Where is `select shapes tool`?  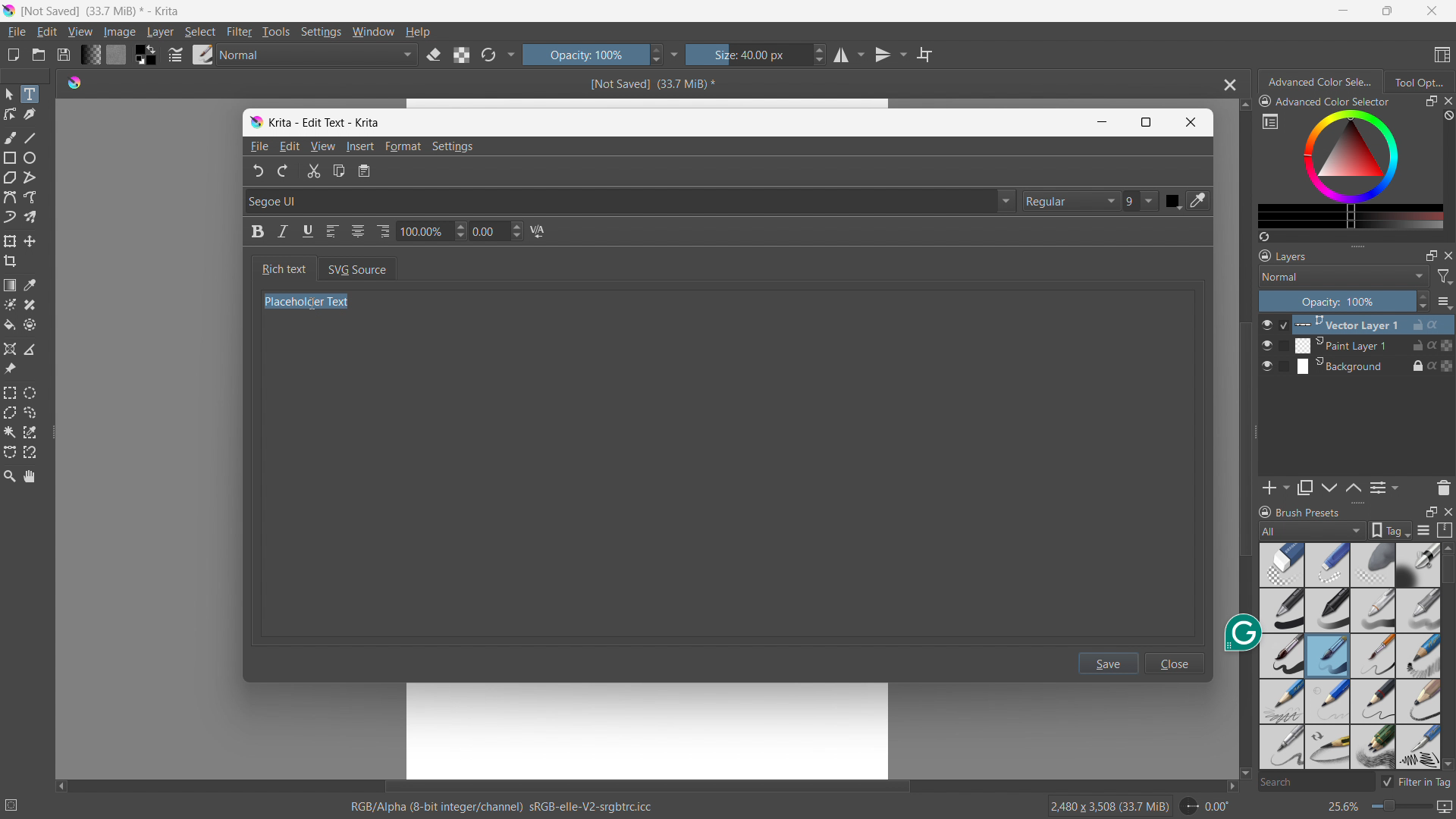 select shapes tool is located at coordinates (8, 94).